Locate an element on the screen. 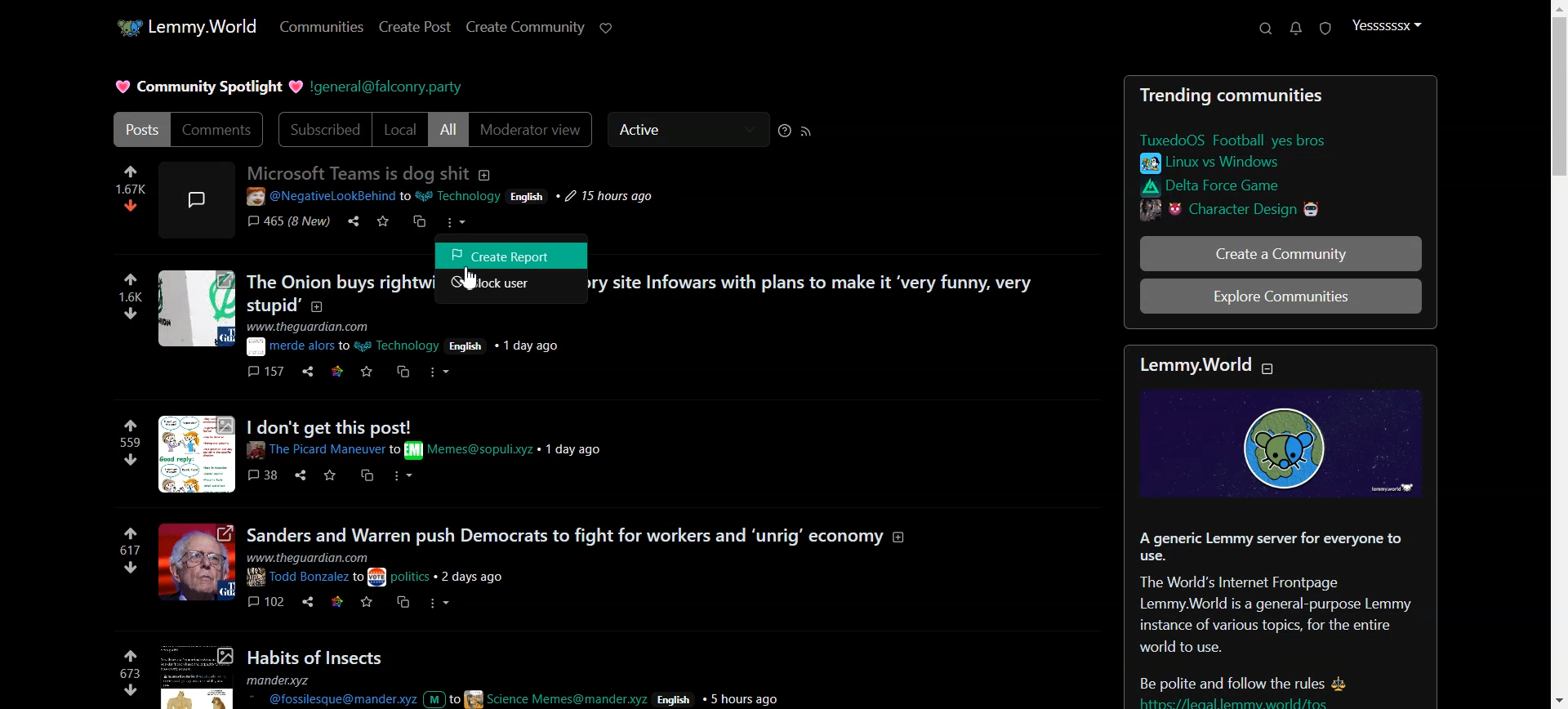  comments is located at coordinates (267, 600).